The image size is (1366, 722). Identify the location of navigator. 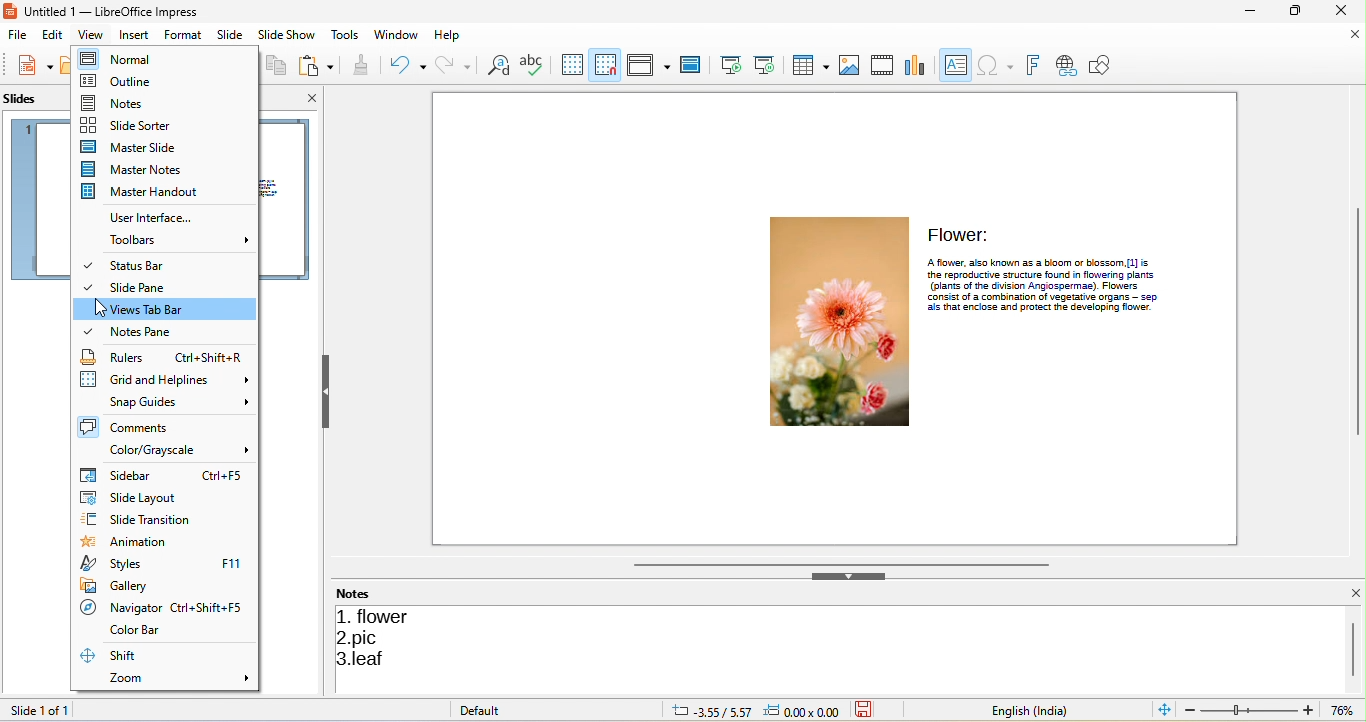
(164, 607).